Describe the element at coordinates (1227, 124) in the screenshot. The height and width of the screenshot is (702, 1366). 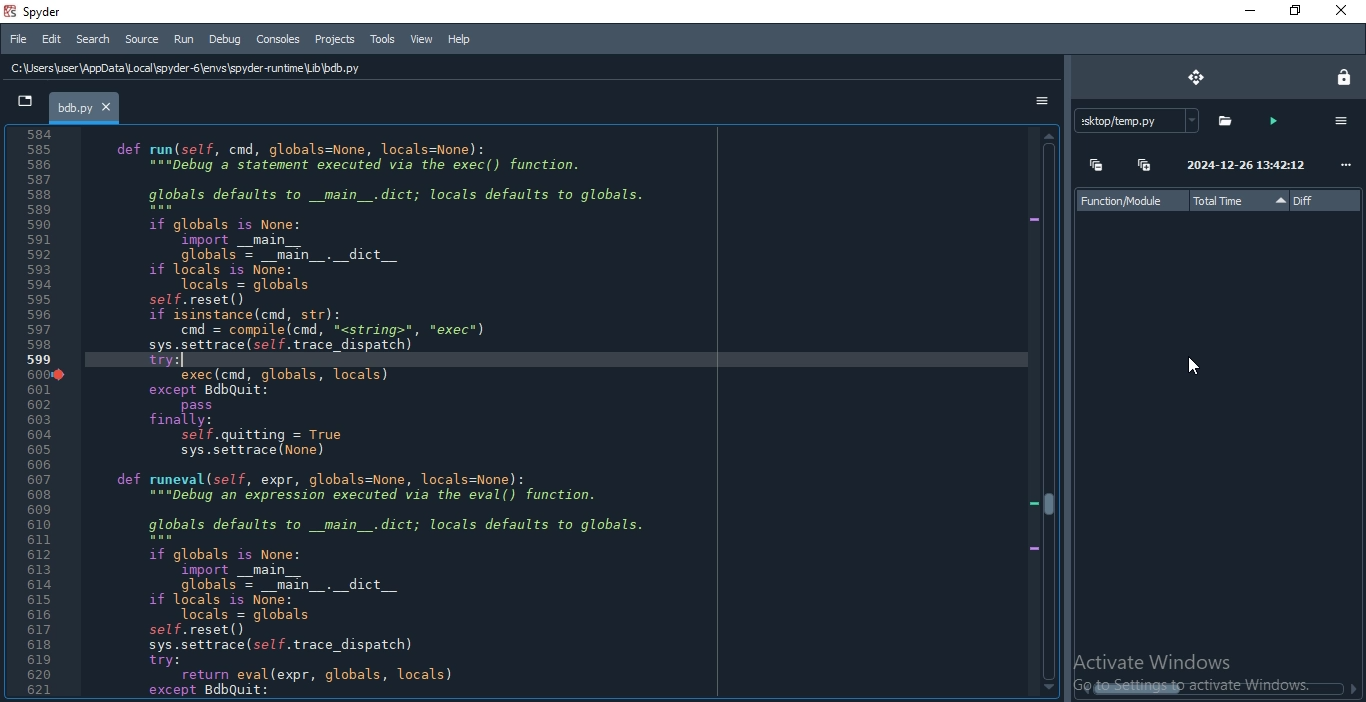
I see `file folder` at that location.